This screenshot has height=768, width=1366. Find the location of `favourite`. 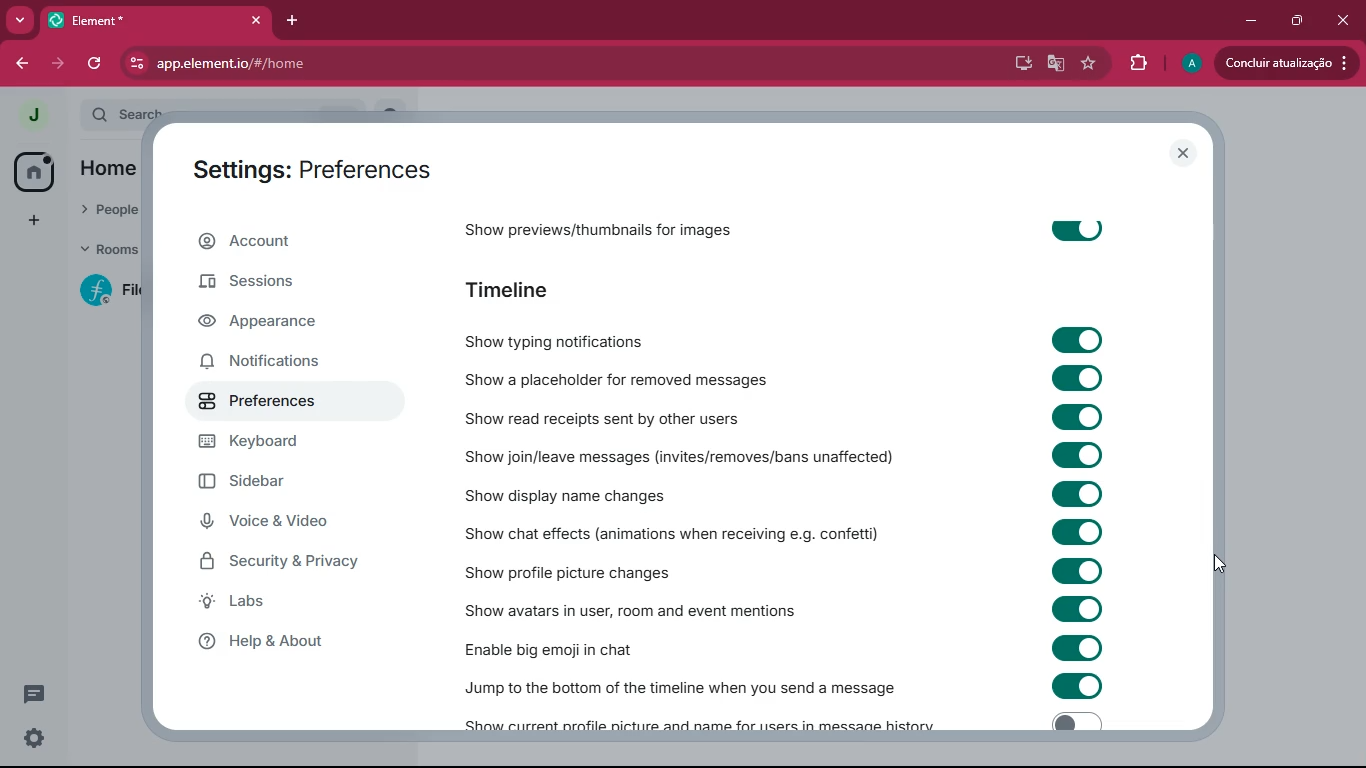

favourite is located at coordinates (1092, 65).